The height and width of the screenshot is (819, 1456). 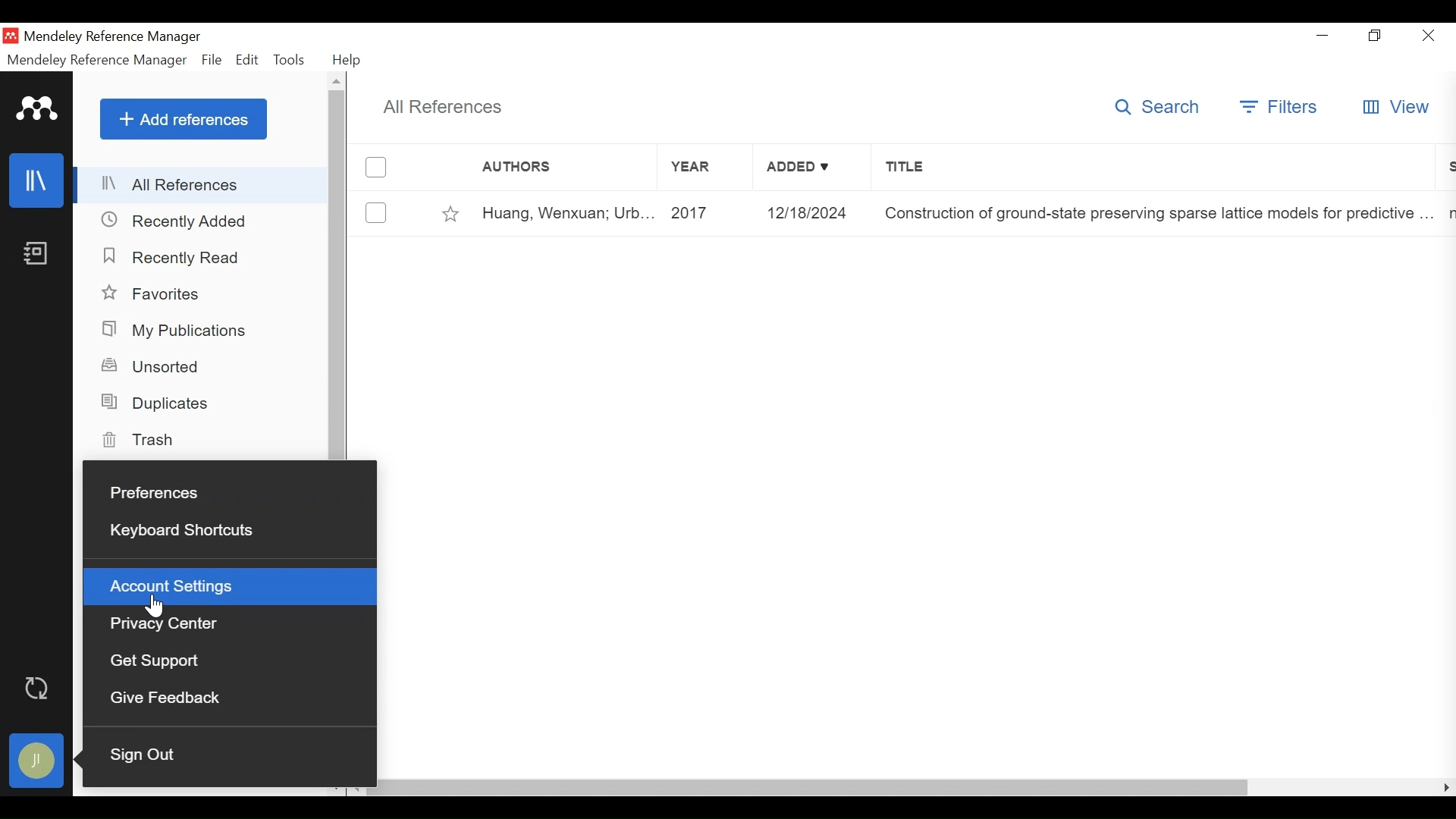 I want to click on Year, so click(x=707, y=172).